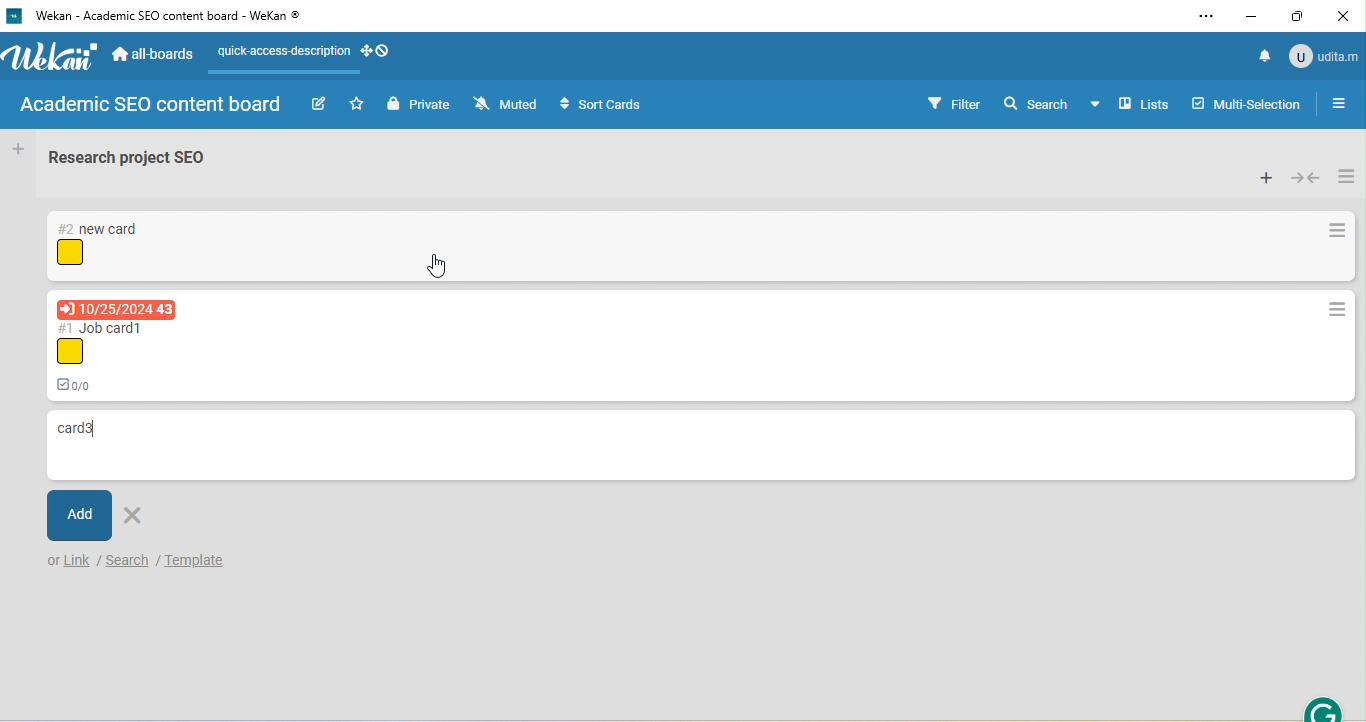  What do you see at coordinates (81, 383) in the screenshot?
I see `0/0` at bounding box center [81, 383].